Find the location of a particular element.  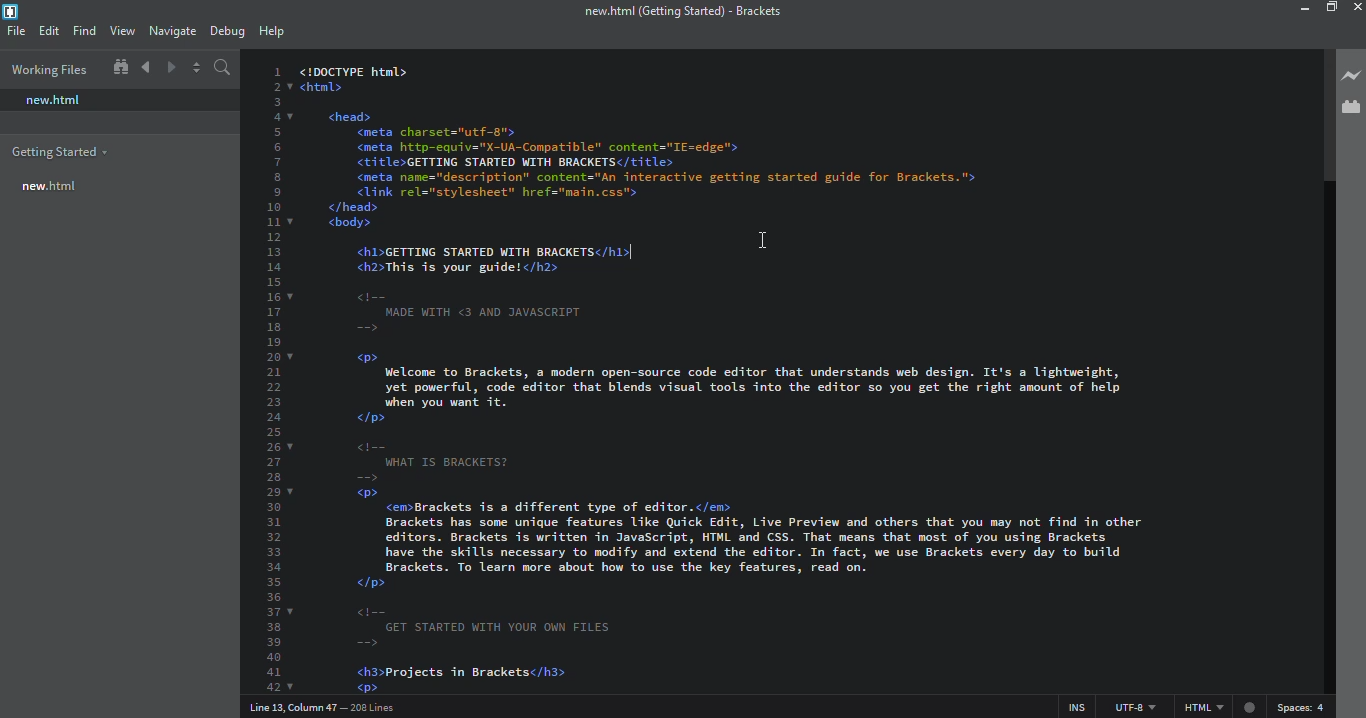

debug is located at coordinates (223, 29).